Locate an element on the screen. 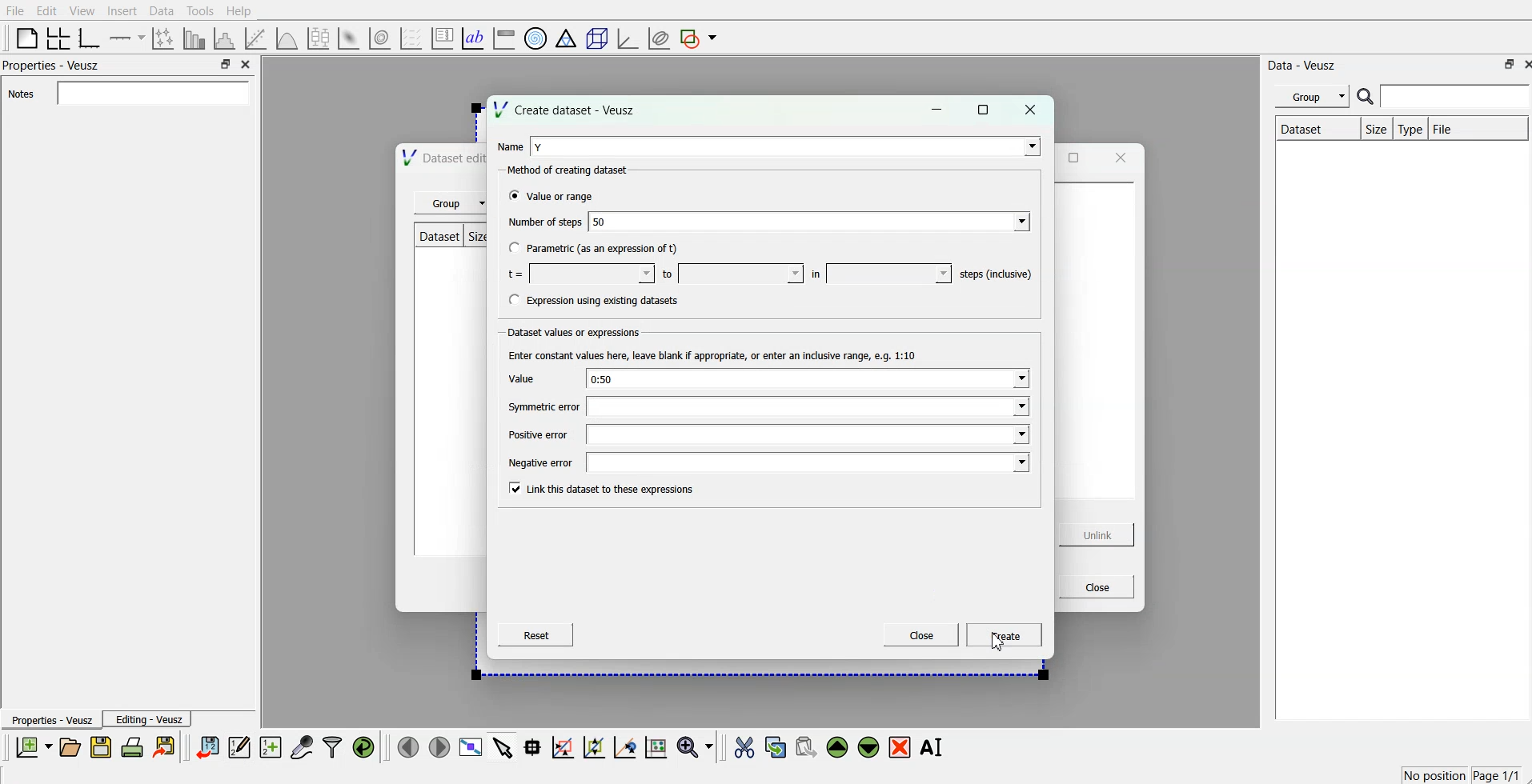 This screenshot has width=1532, height=784. Link this dataset to these expressions is located at coordinates (613, 490).